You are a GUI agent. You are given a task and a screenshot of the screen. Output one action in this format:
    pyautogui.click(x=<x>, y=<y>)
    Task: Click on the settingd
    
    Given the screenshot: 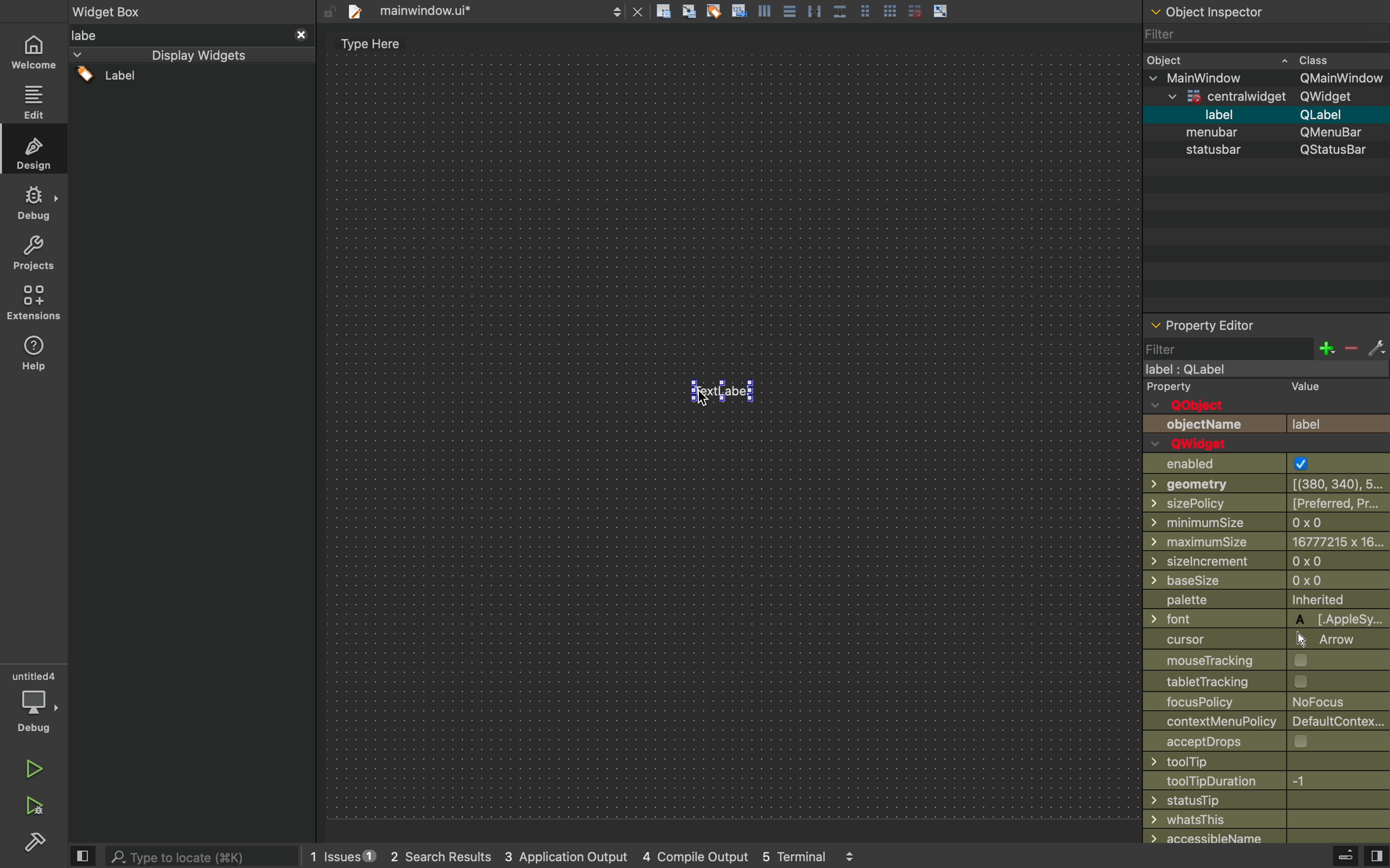 What is the action you would take?
    pyautogui.click(x=30, y=843)
    